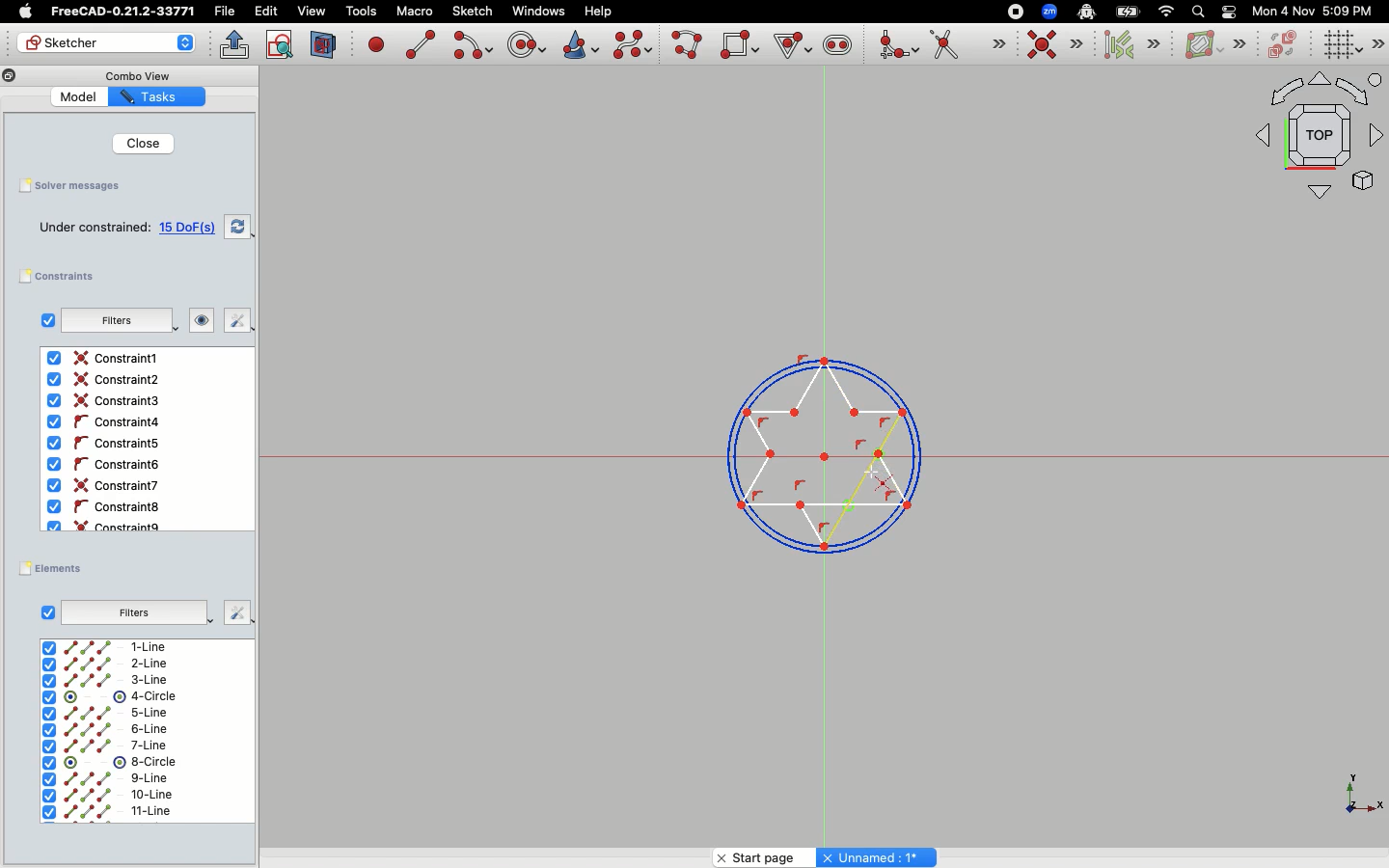  Describe the element at coordinates (1213, 45) in the screenshot. I see `B-spline information layer` at that location.